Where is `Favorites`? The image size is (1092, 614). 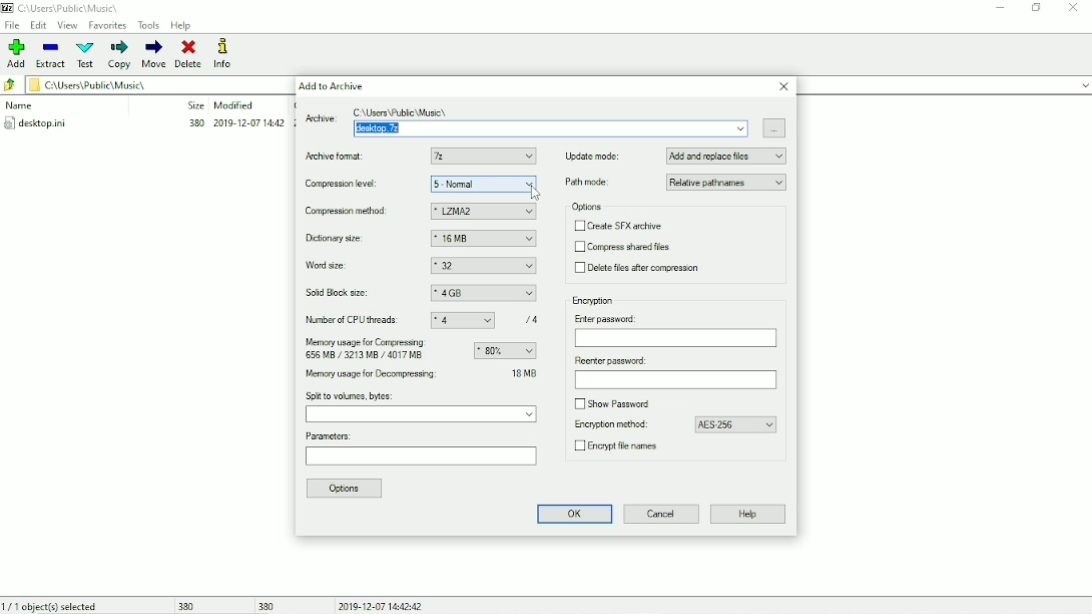 Favorites is located at coordinates (108, 25).